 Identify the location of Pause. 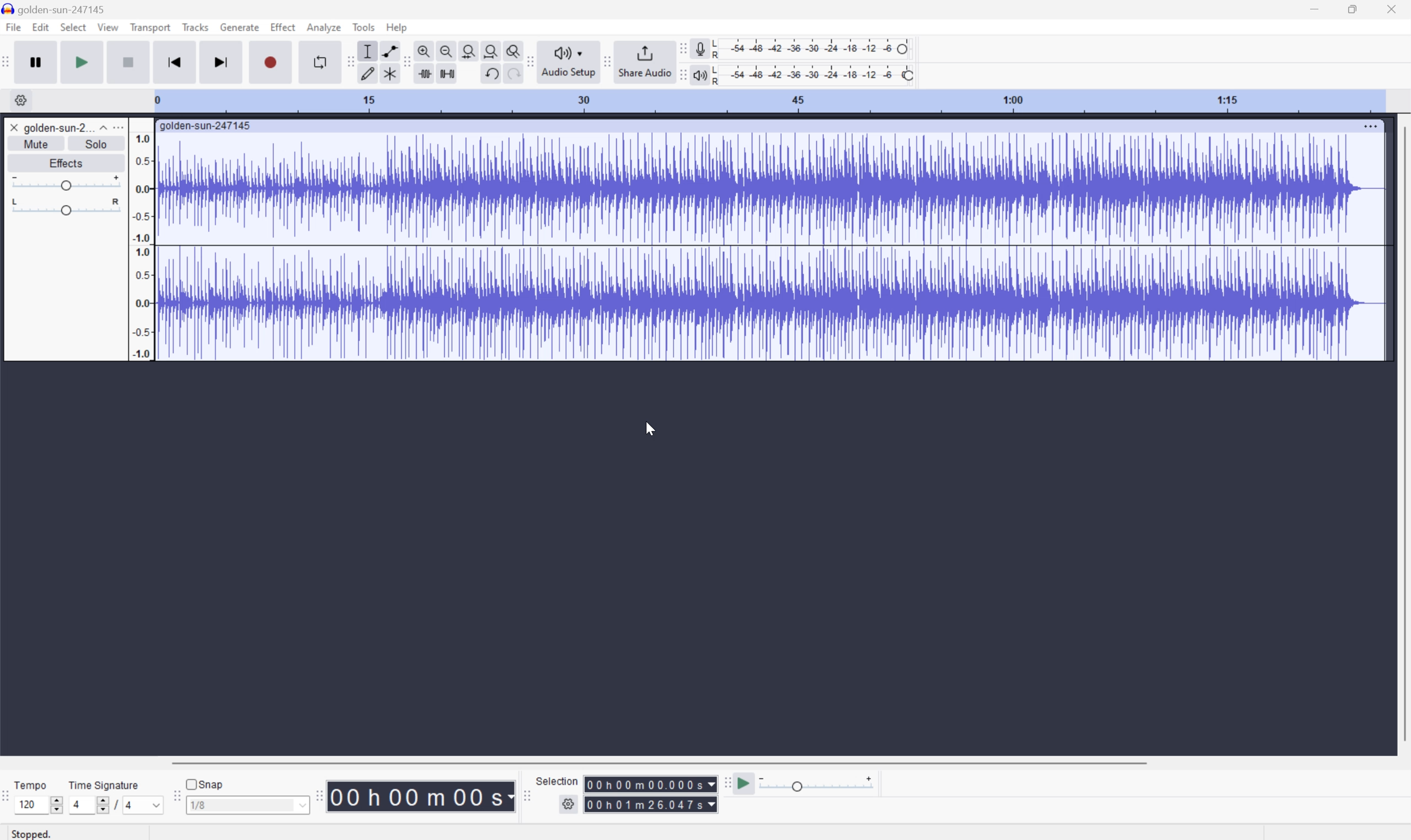
(40, 62).